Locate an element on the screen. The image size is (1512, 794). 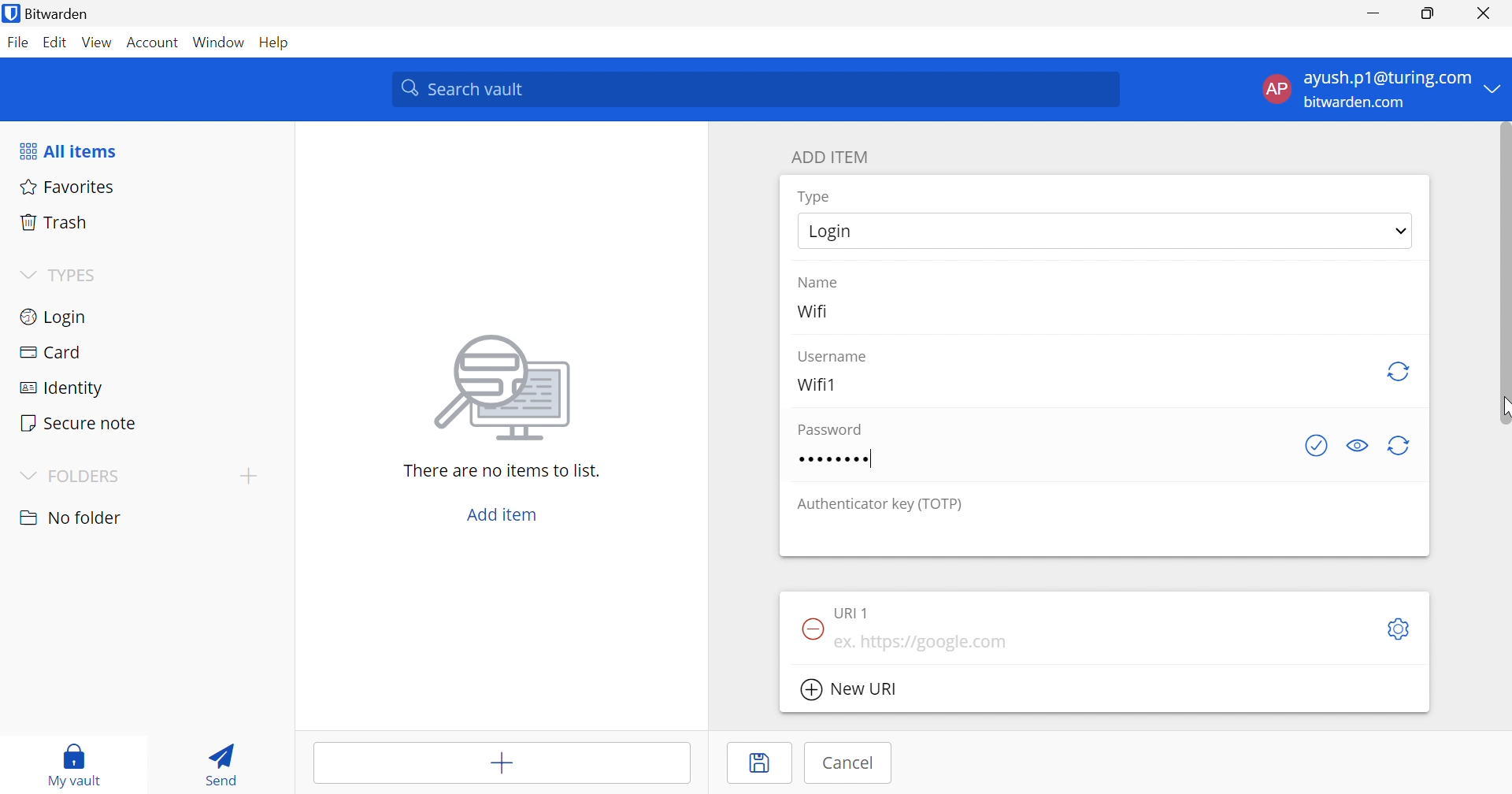
scrollbar is located at coordinates (1503, 273).